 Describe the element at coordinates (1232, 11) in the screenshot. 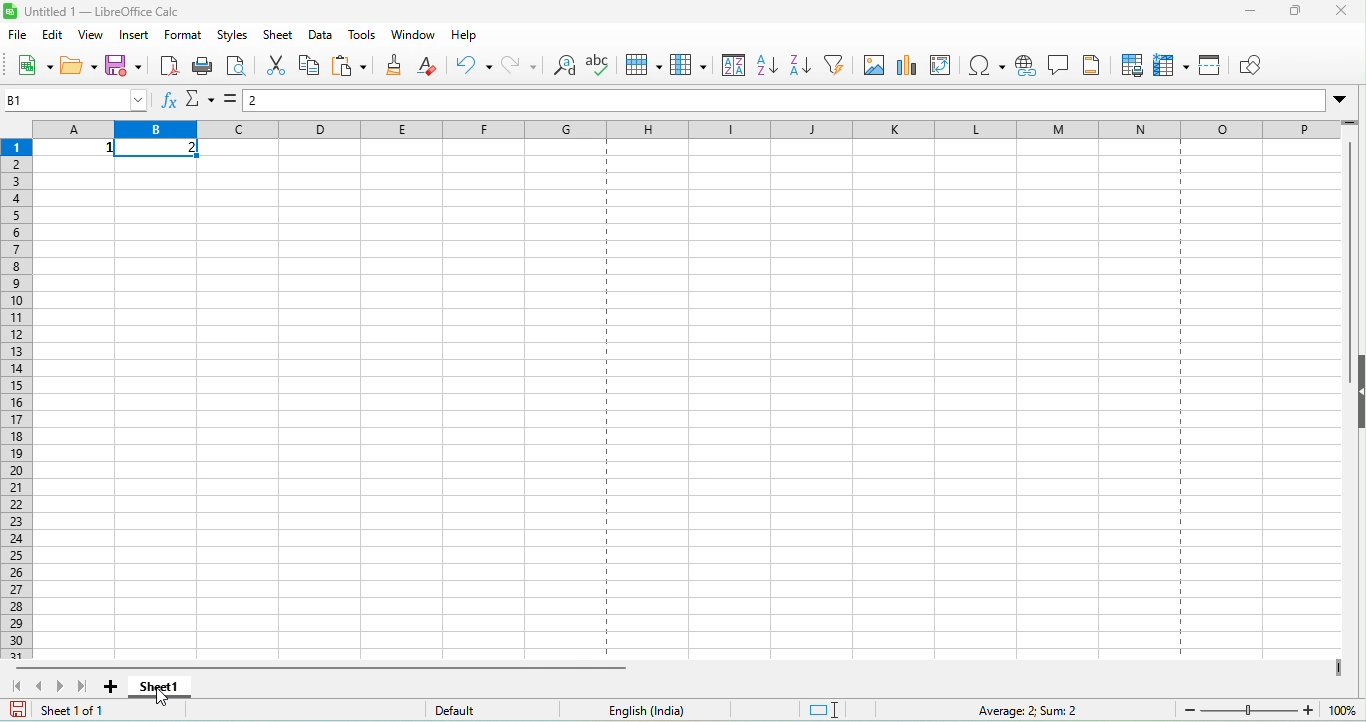

I see `minimize` at that location.